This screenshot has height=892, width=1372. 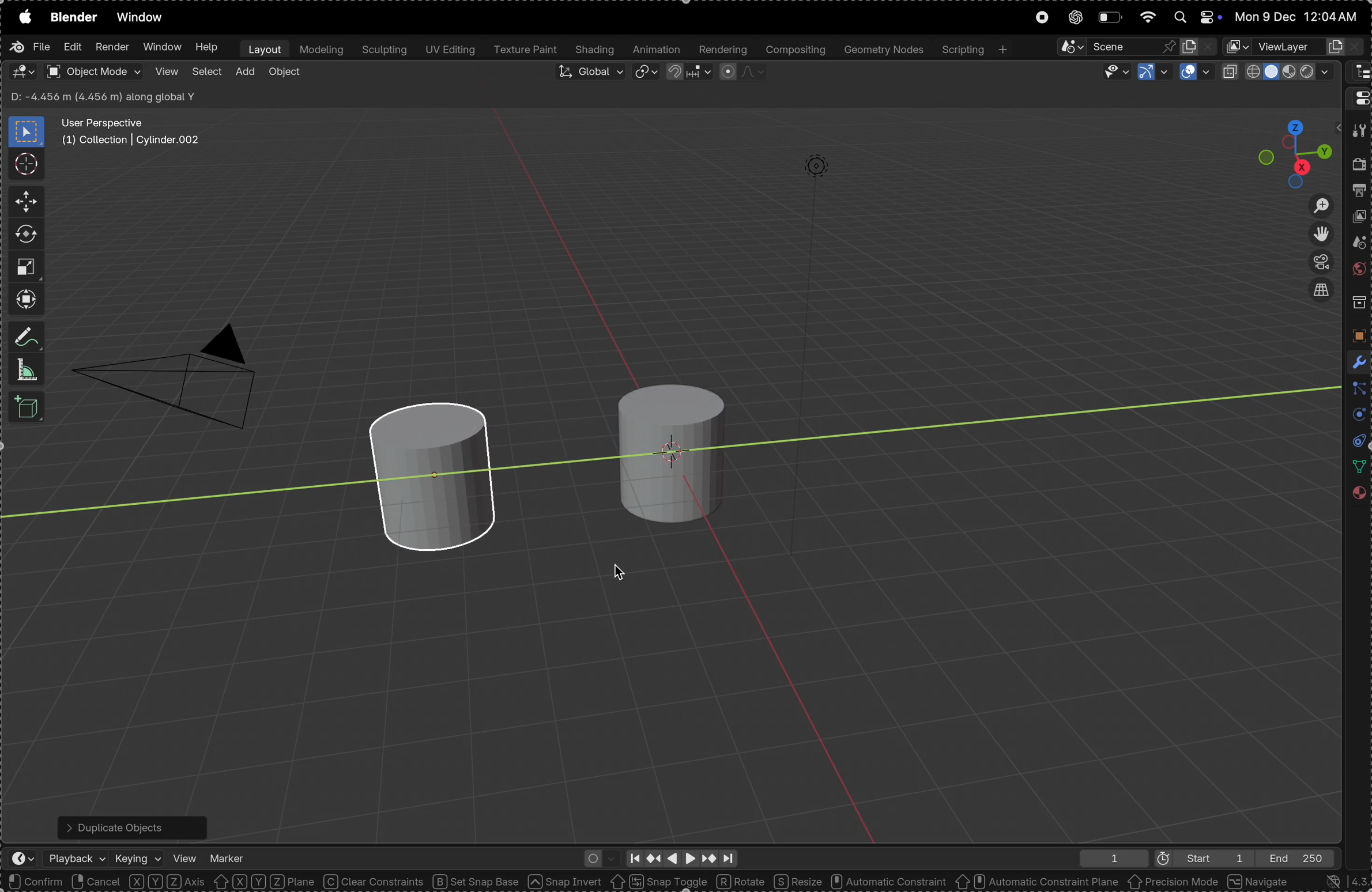 I want to click on layout, so click(x=262, y=48).